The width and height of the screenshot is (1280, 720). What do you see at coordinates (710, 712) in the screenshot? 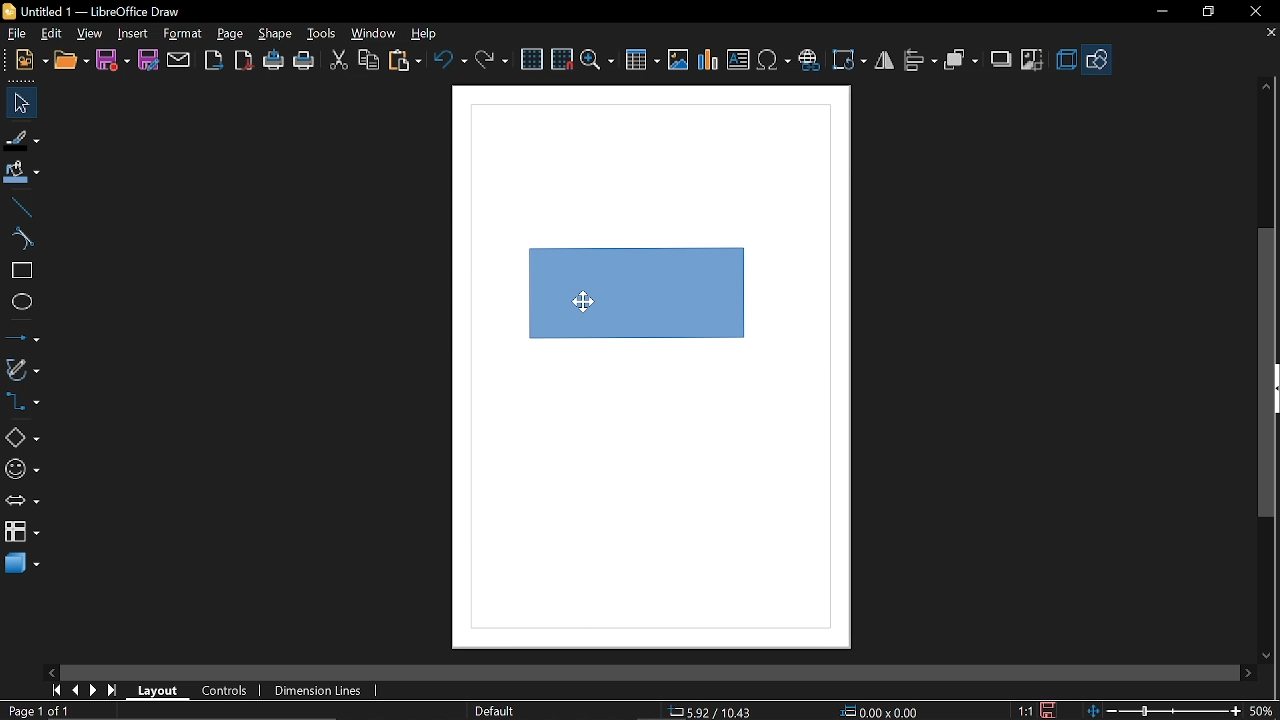
I see `5.92/10.43` at bounding box center [710, 712].